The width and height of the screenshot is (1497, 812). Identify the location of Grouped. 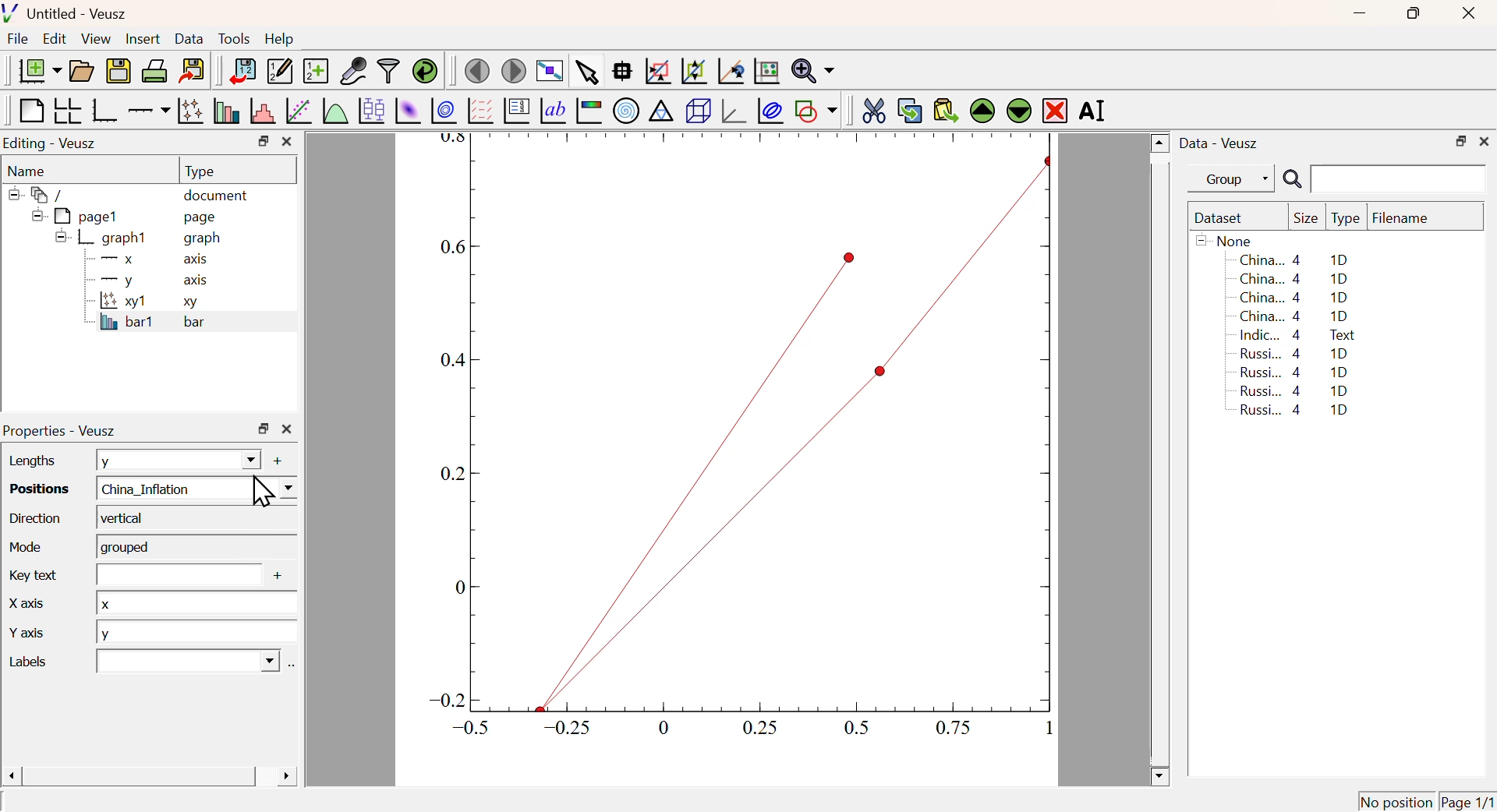
(193, 547).